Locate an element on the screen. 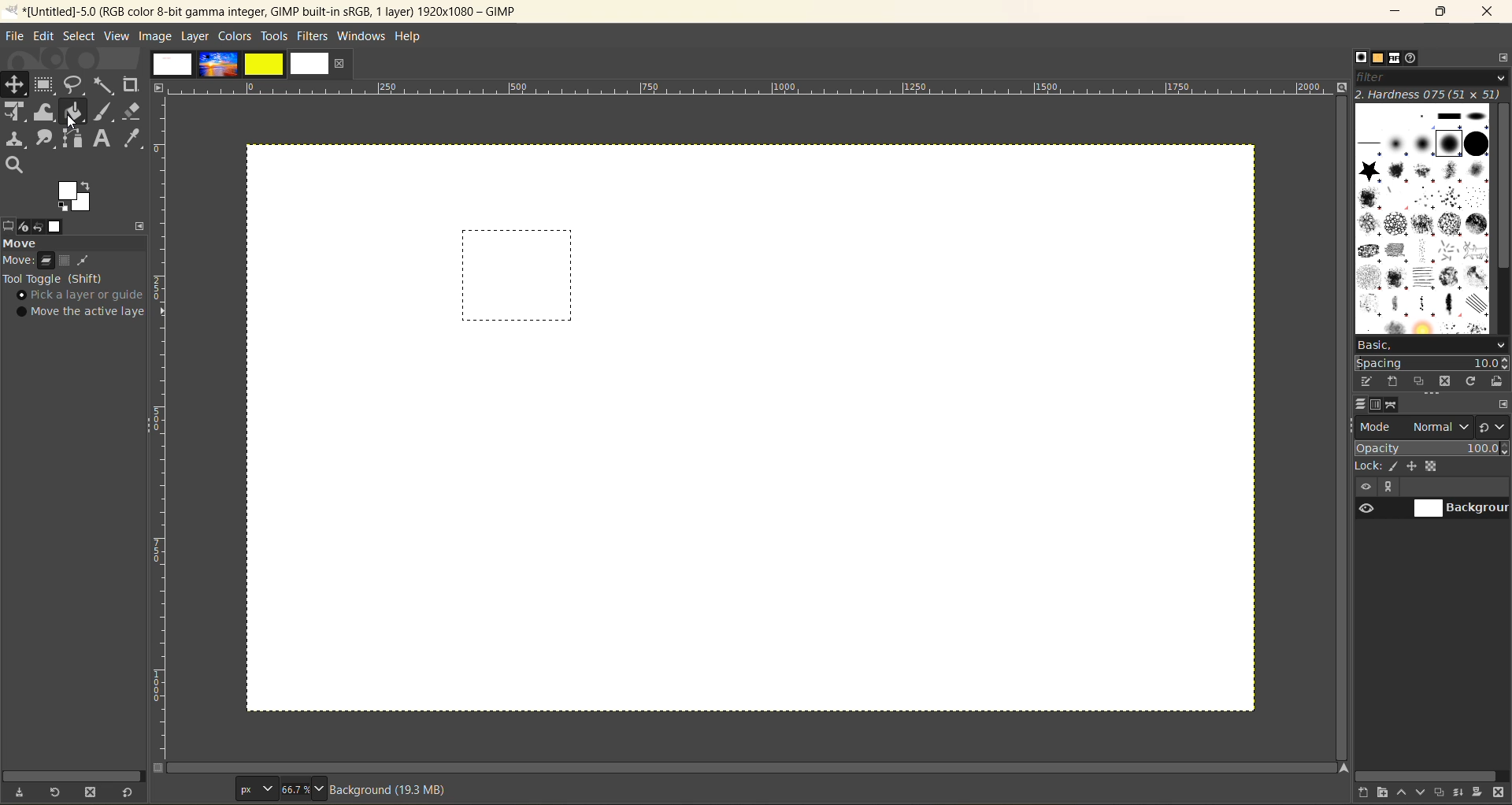 The height and width of the screenshot is (805, 1512). minimize is located at coordinates (1398, 10).